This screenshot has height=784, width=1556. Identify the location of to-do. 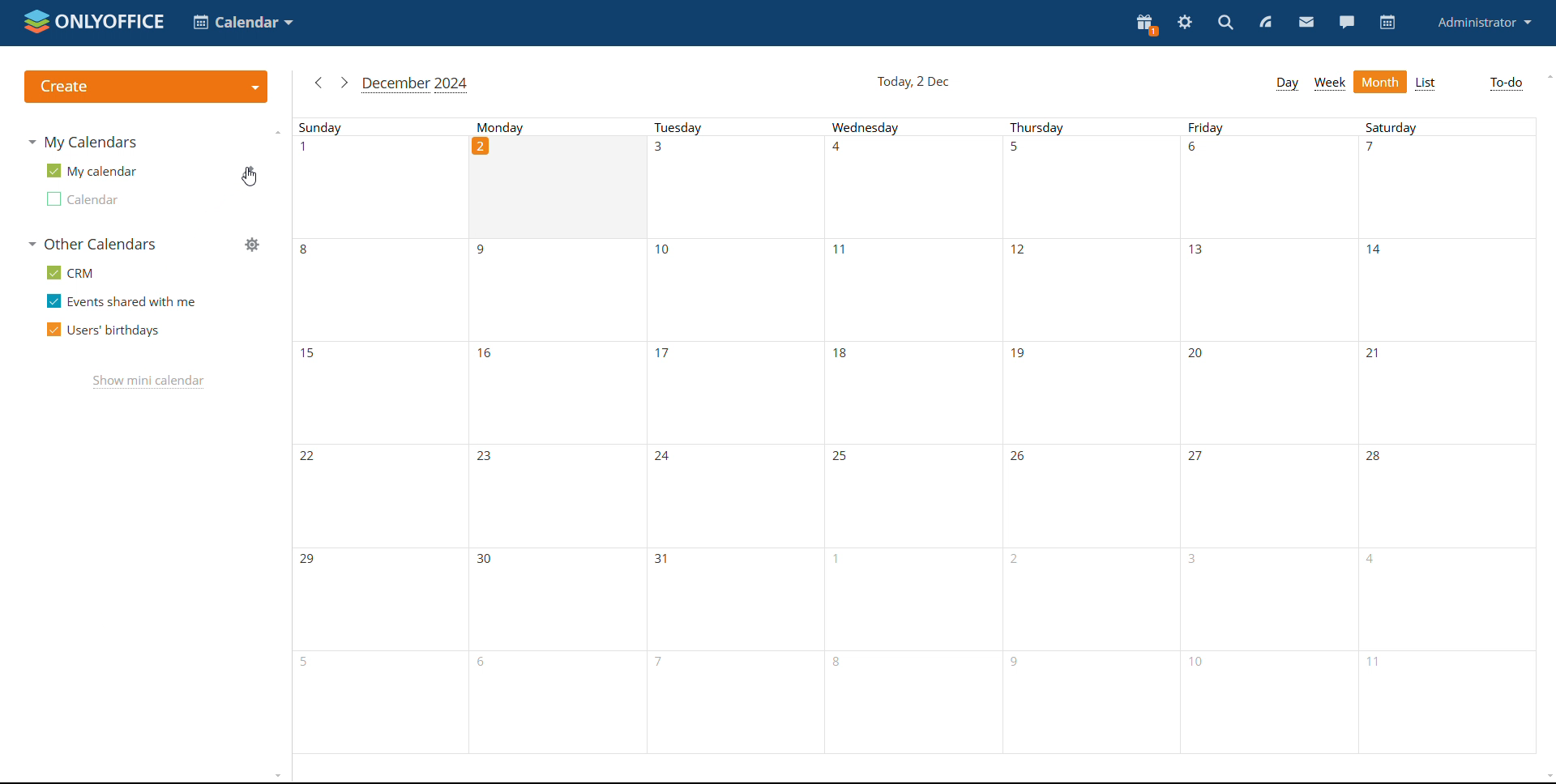
(1506, 83).